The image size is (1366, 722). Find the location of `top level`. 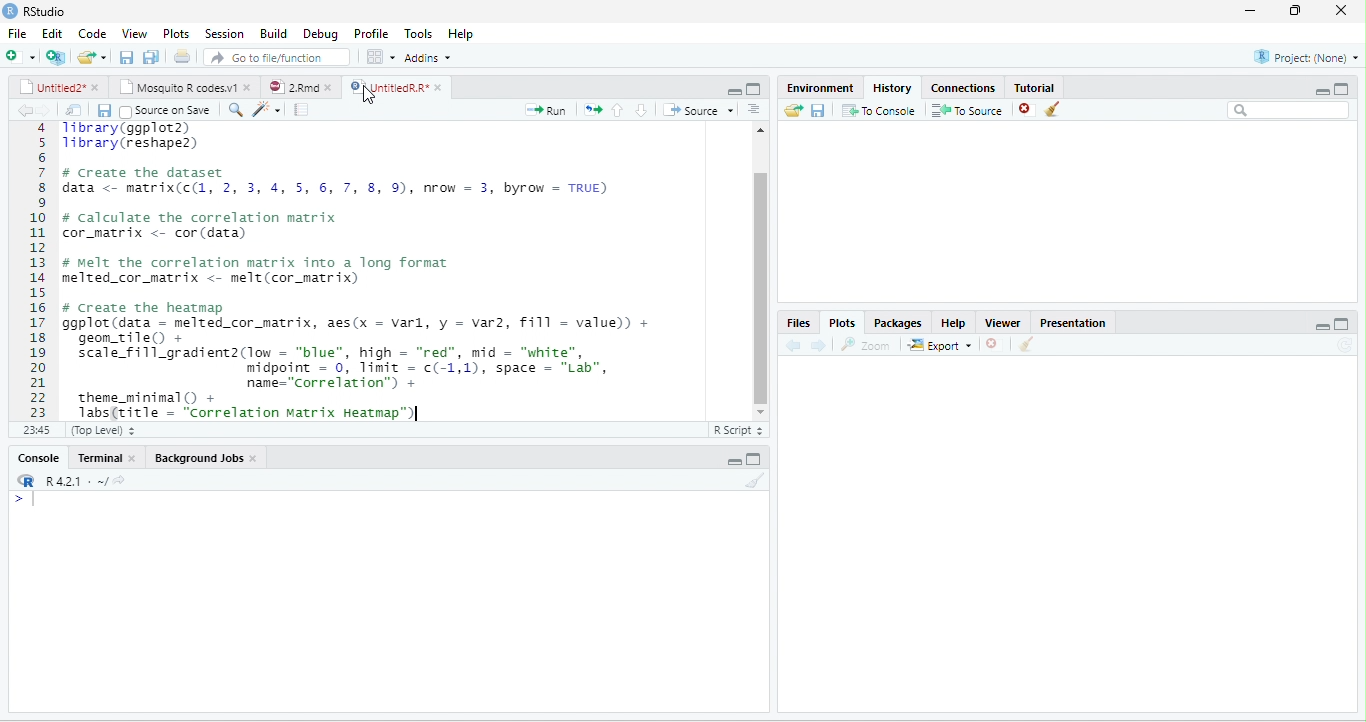

top level is located at coordinates (118, 432).